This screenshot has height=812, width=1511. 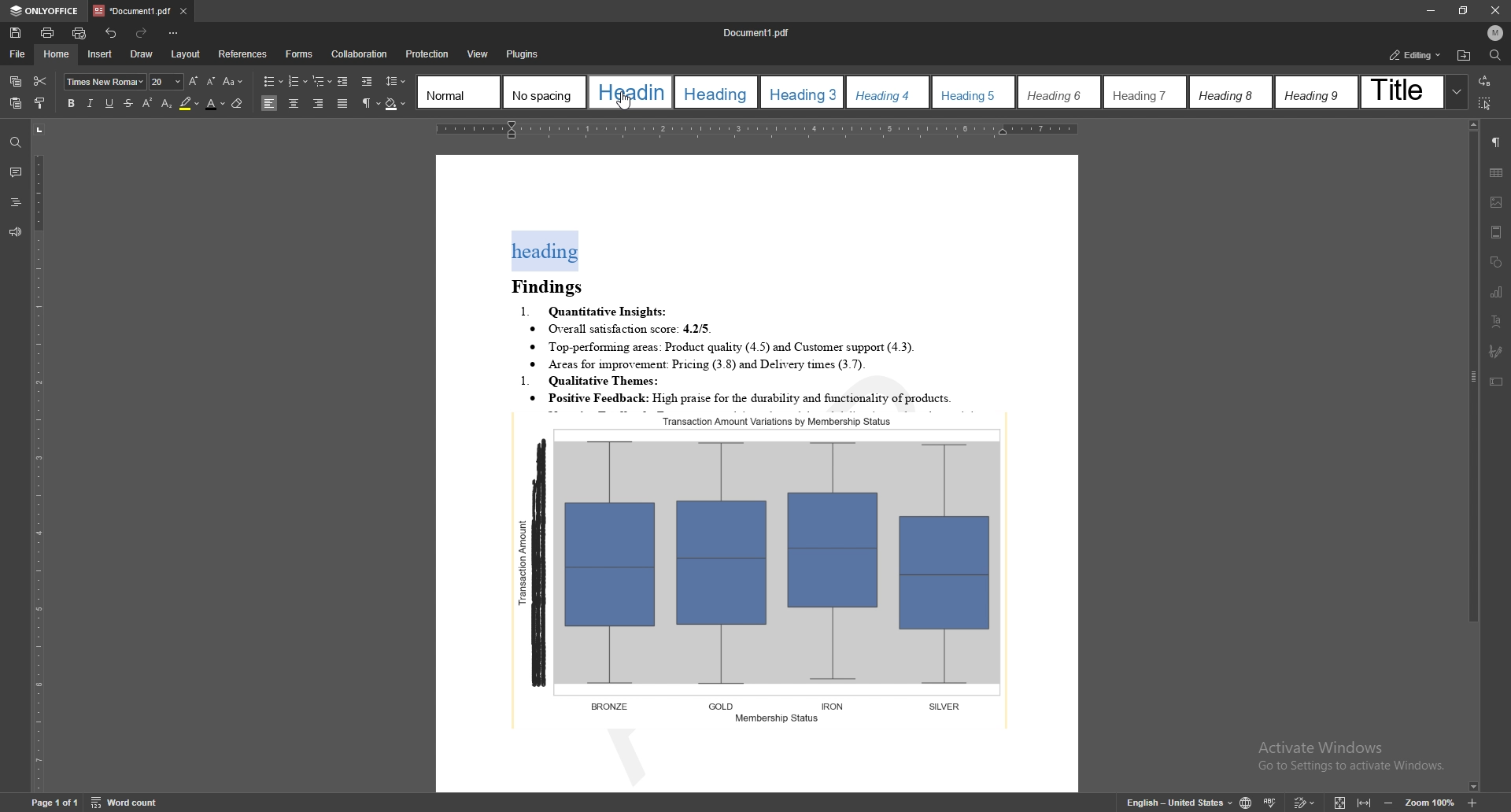 I want to click on print, so click(x=48, y=33).